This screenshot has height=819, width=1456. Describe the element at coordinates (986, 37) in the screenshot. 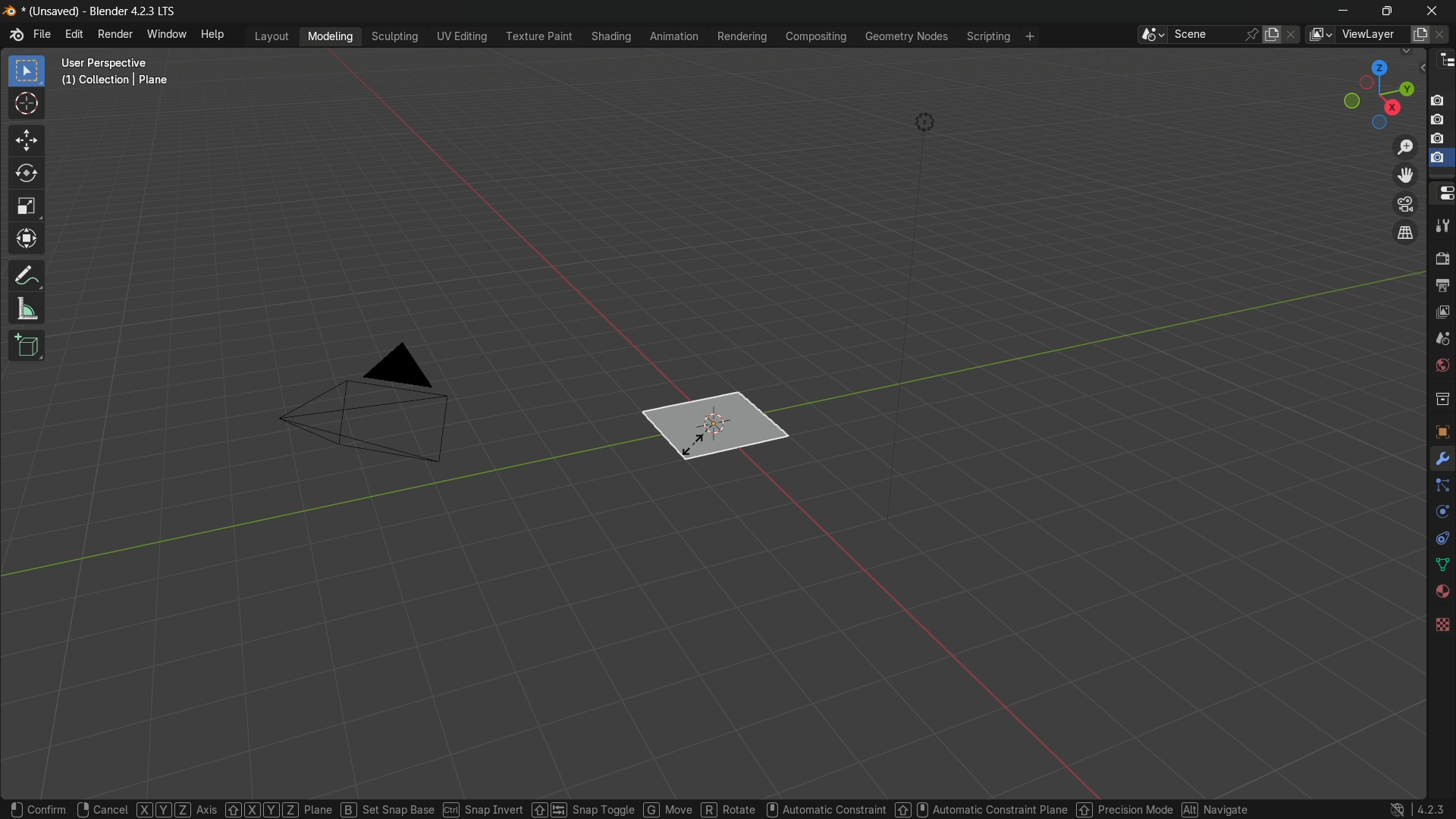

I see `scripting` at that location.